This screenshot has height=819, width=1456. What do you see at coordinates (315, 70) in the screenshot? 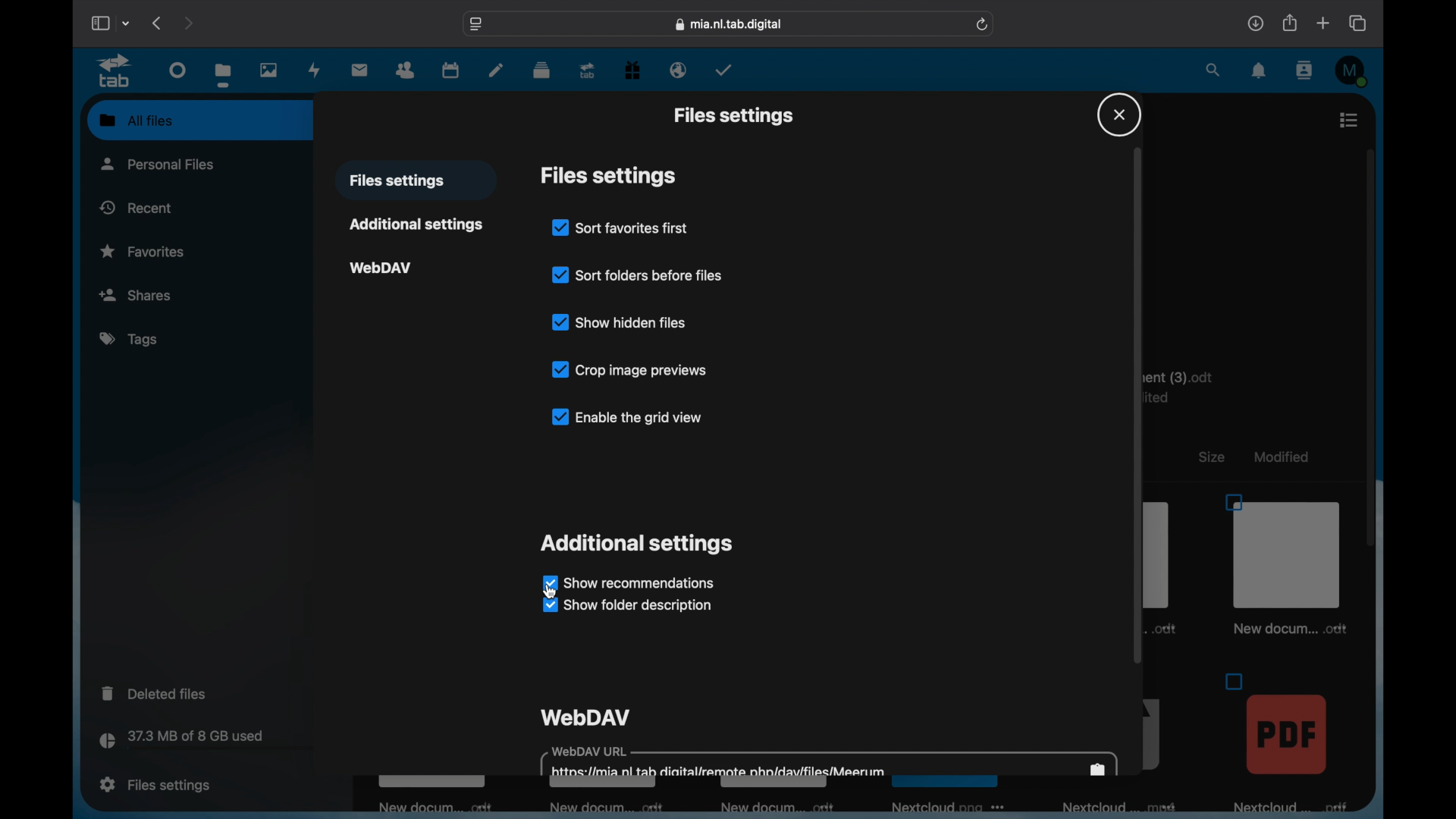
I see `activity` at bounding box center [315, 70].